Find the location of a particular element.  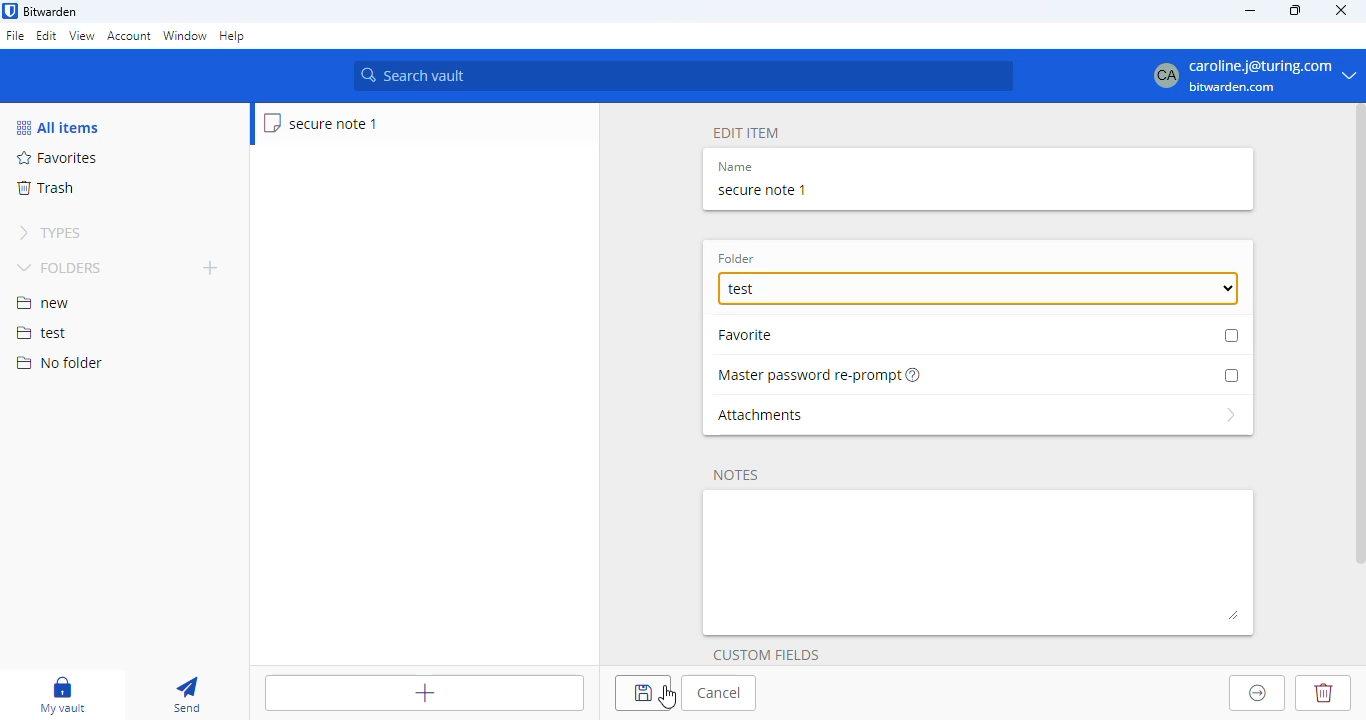

checkbox is located at coordinates (1231, 375).